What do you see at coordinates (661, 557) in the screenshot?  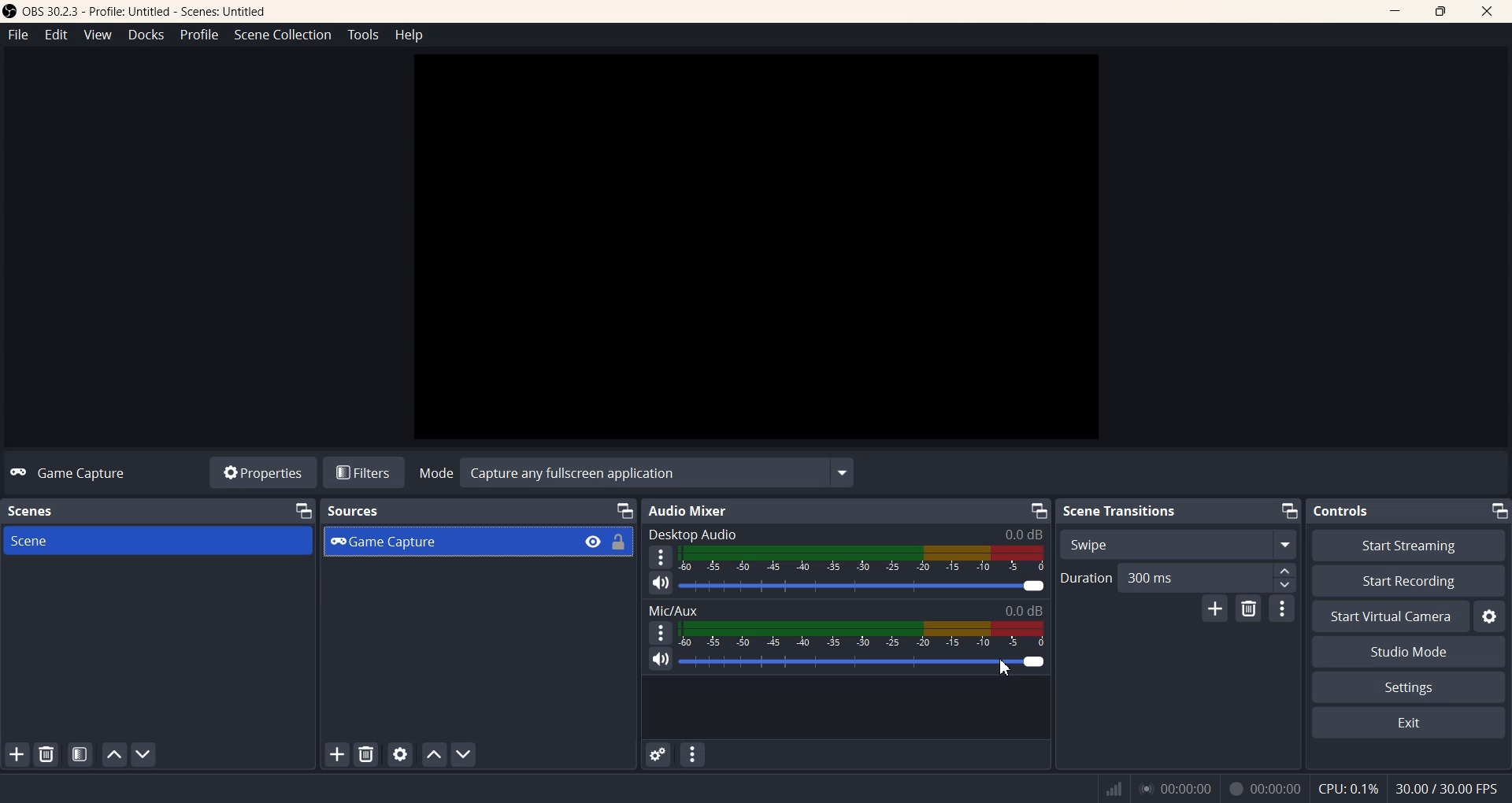 I see `More` at bounding box center [661, 557].